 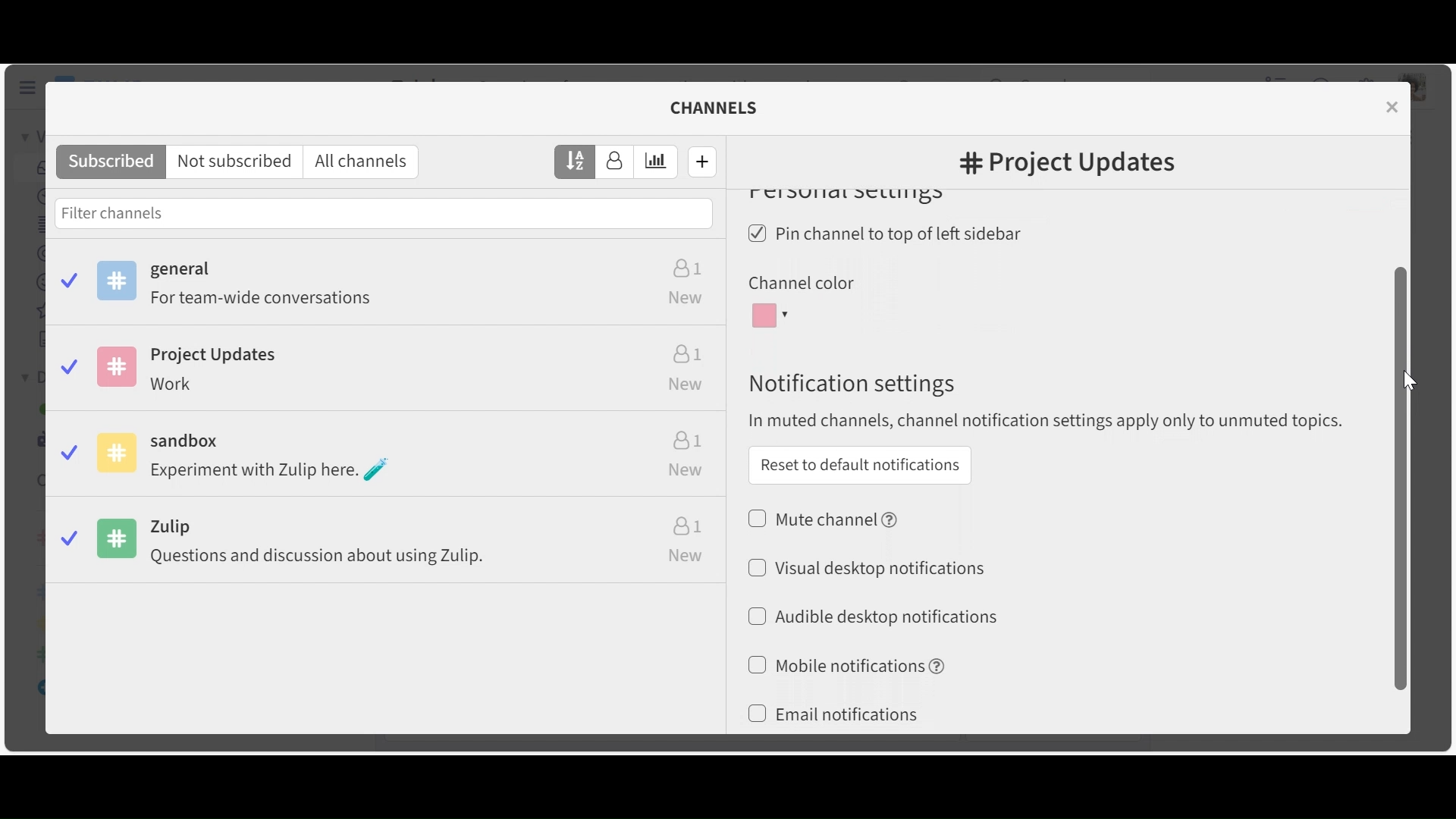 I want to click on Sandbox, so click(x=388, y=458).